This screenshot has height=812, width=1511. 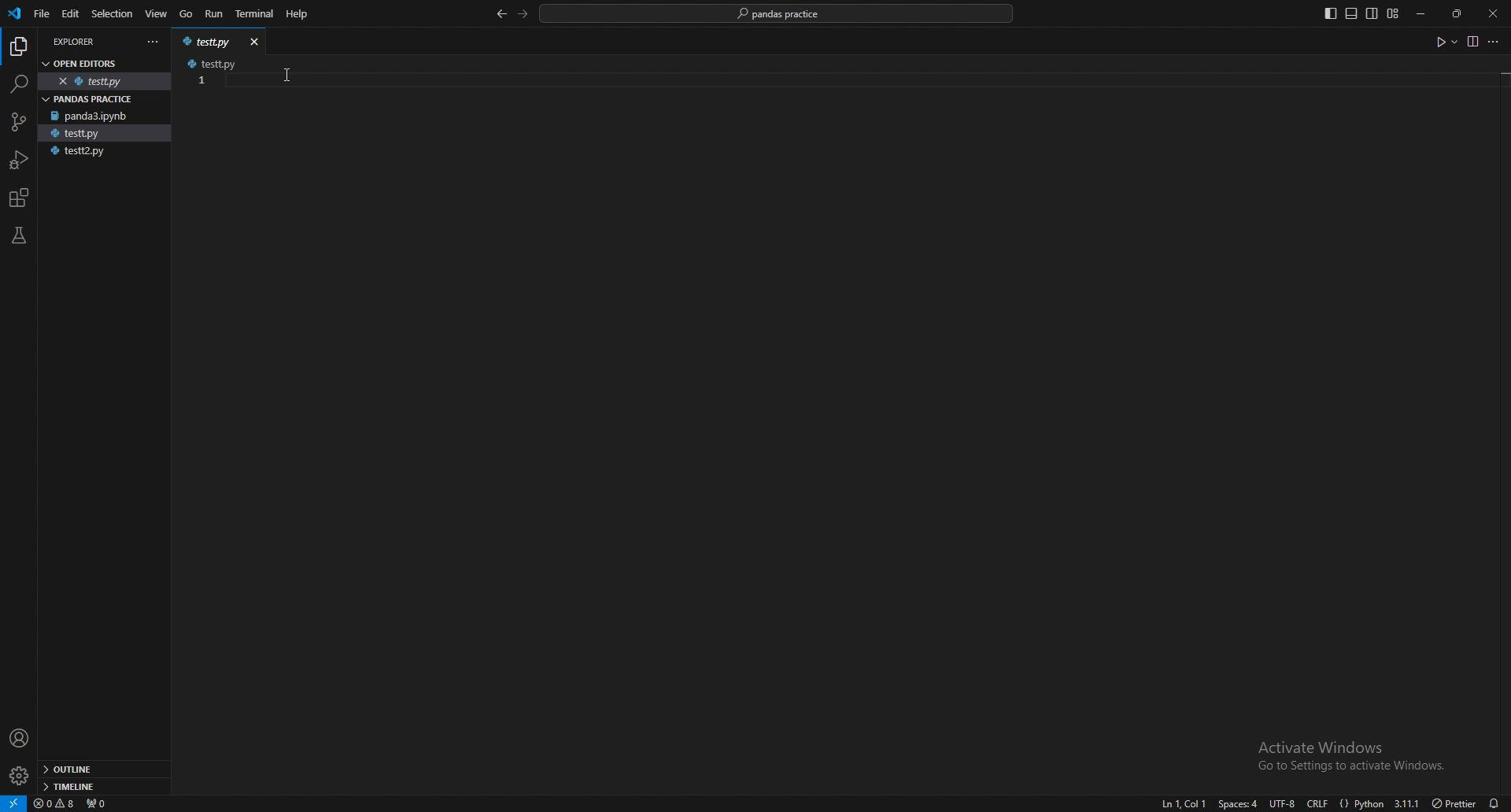 I want to click on close, so click(x=1493, y=13).